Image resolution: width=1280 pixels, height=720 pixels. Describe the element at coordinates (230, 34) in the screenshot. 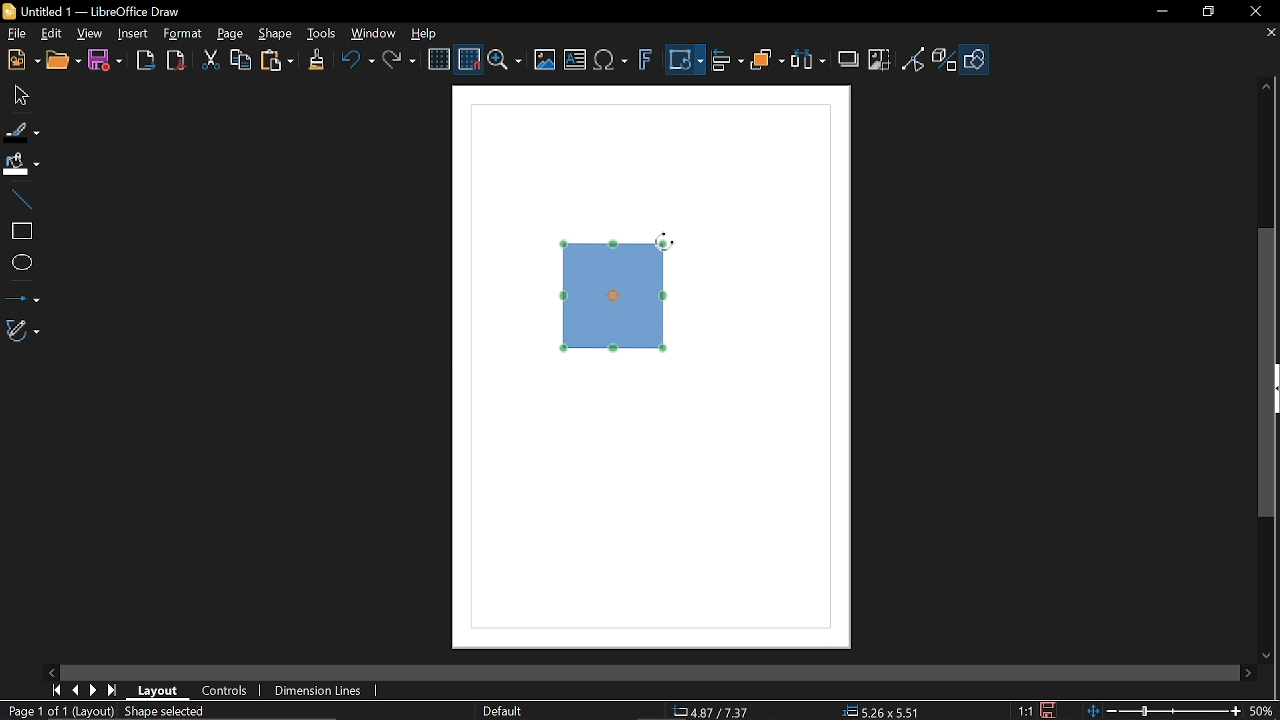

I see `Page` at that location.